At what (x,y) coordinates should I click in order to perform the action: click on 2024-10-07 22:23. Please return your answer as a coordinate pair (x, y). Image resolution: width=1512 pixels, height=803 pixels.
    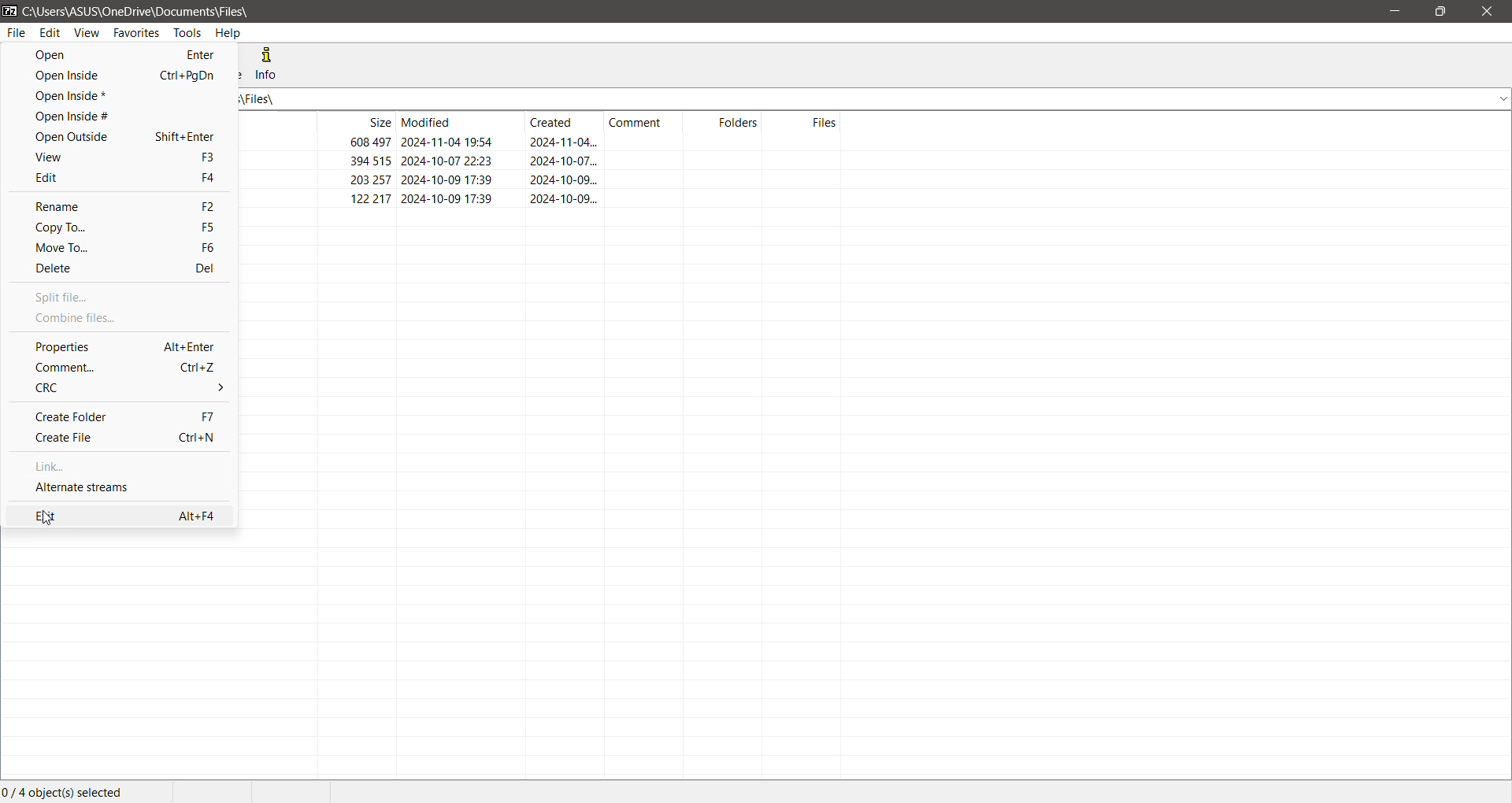
    Looking at the image, I should click on (447, 161).